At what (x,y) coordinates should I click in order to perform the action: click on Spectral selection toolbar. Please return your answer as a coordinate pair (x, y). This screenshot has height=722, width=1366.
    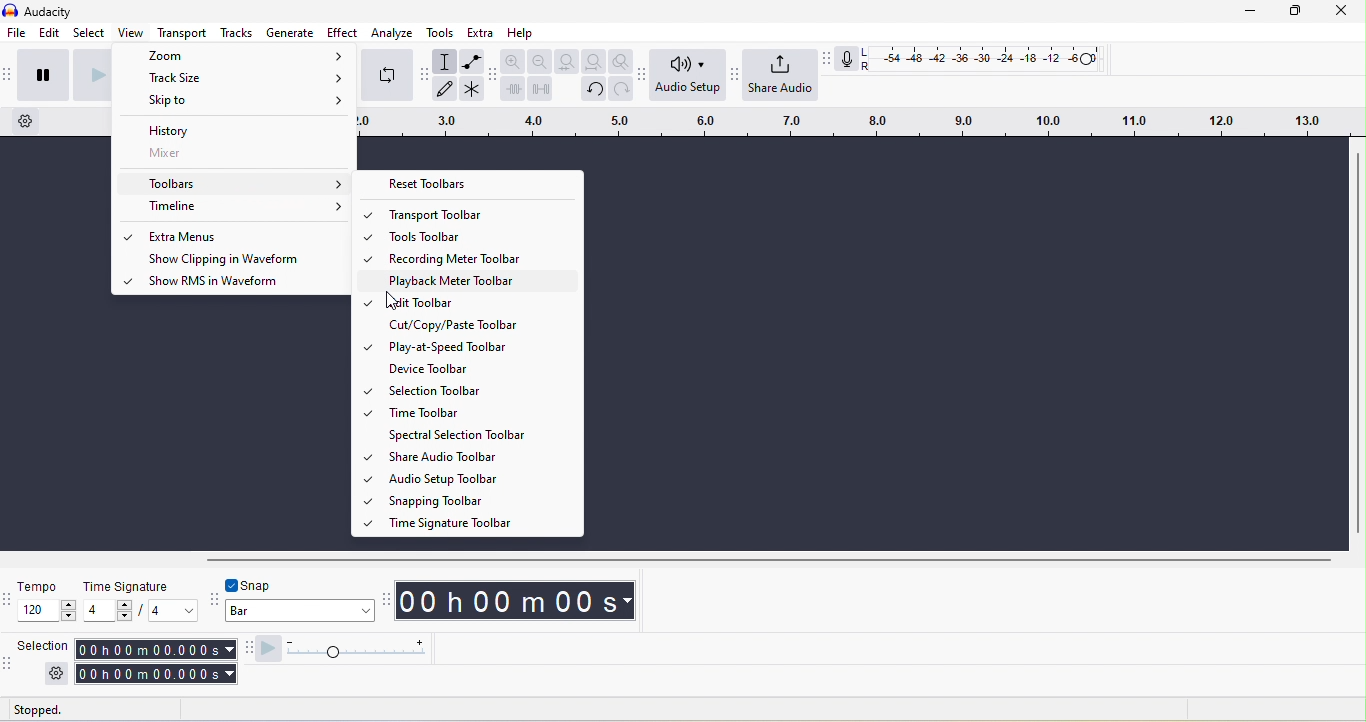
    Looking at the image, I should click on (480, 435).